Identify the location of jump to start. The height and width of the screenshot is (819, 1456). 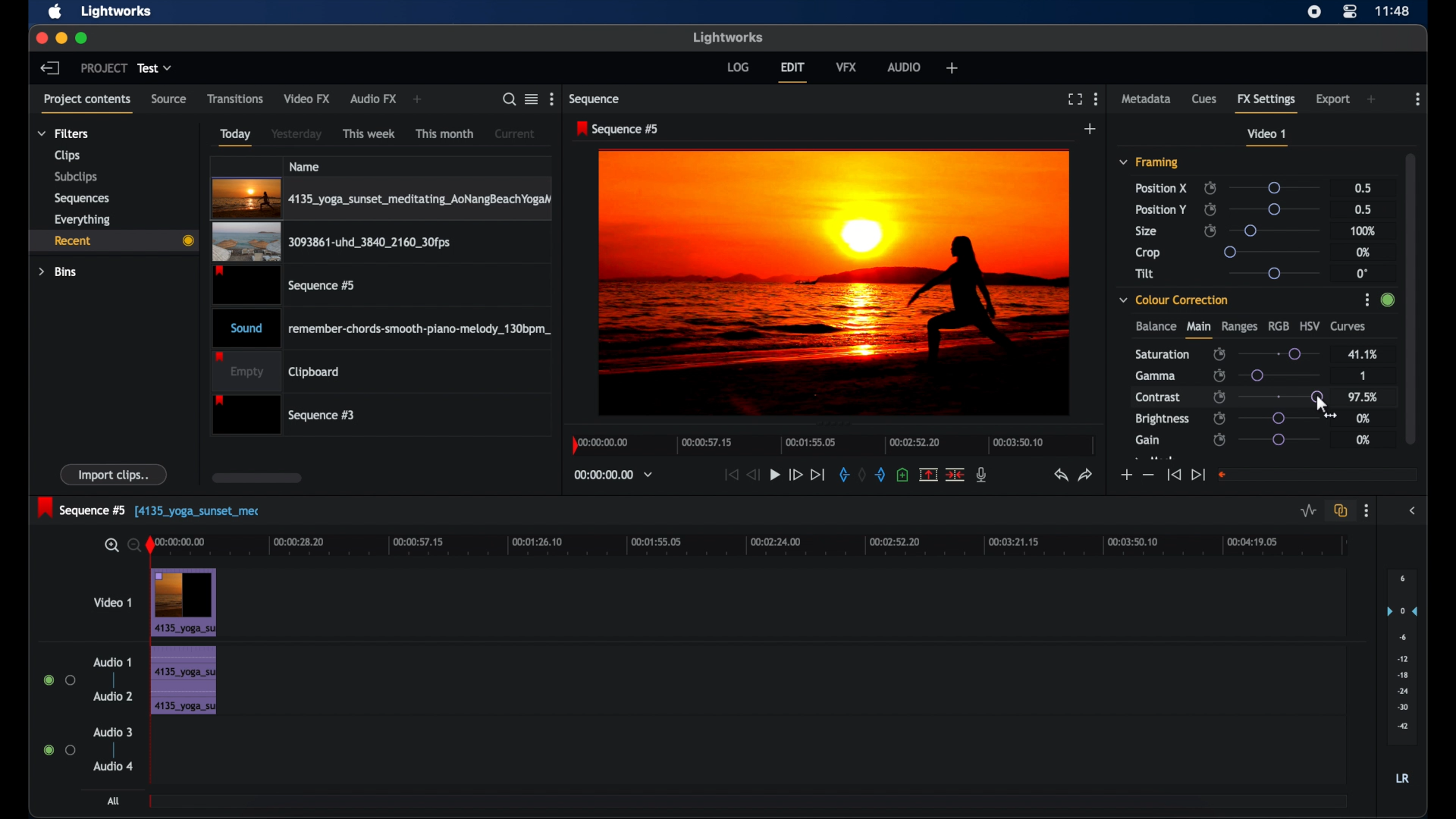
(731, 474).